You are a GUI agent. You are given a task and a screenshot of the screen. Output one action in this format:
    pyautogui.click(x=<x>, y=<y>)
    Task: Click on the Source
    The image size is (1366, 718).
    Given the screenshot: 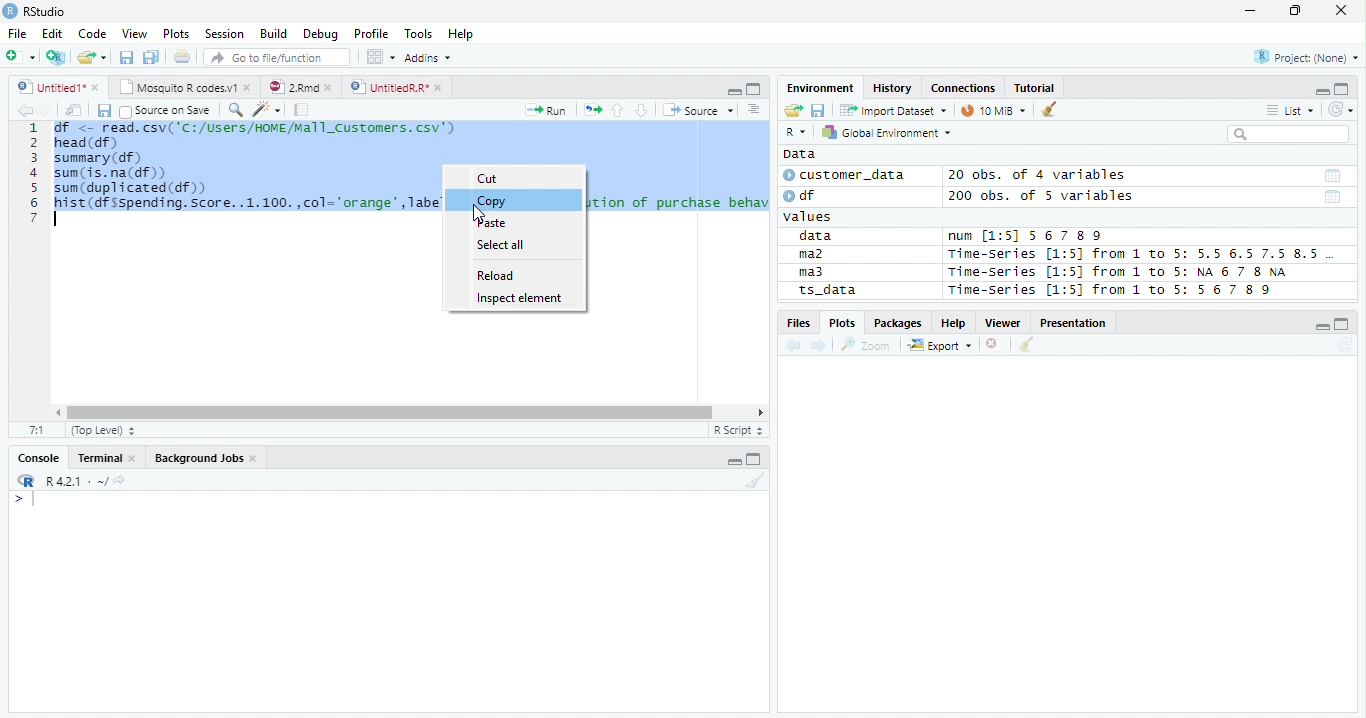 What is the action you would take?
    pyautogui.click(x=696, y=110)
    